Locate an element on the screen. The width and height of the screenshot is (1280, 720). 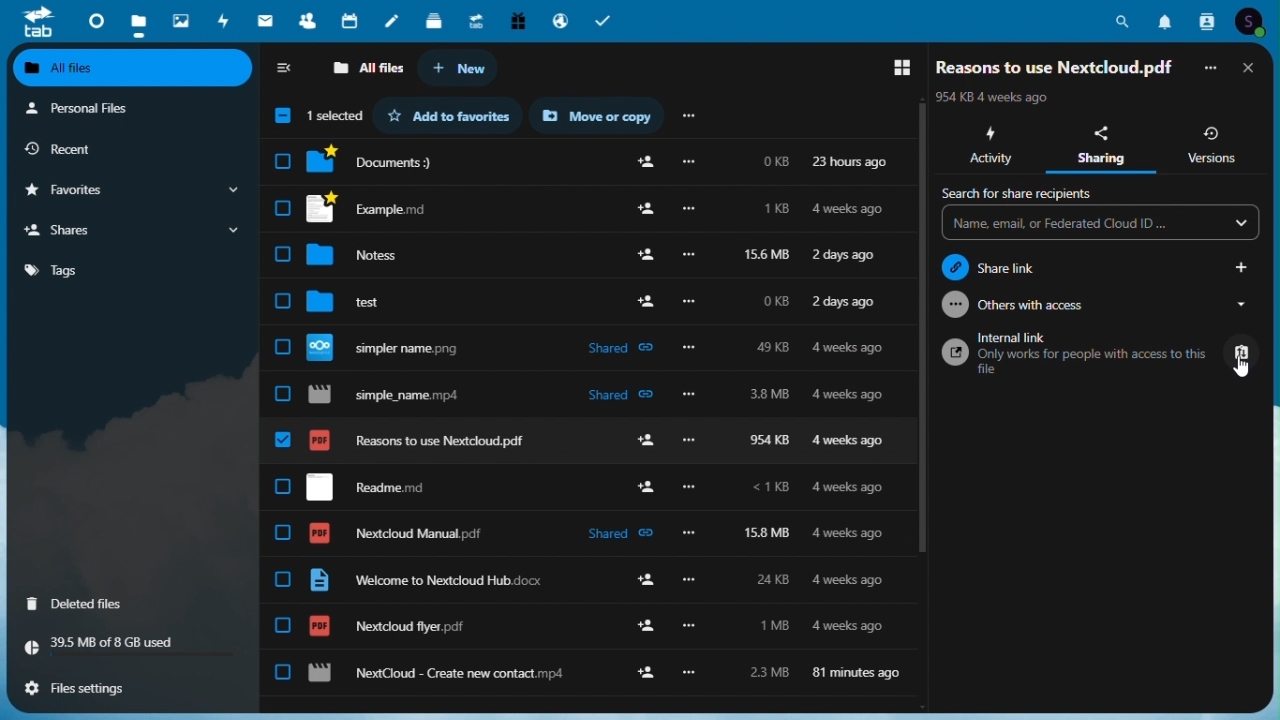
storage is located at coordinates (131, 646).